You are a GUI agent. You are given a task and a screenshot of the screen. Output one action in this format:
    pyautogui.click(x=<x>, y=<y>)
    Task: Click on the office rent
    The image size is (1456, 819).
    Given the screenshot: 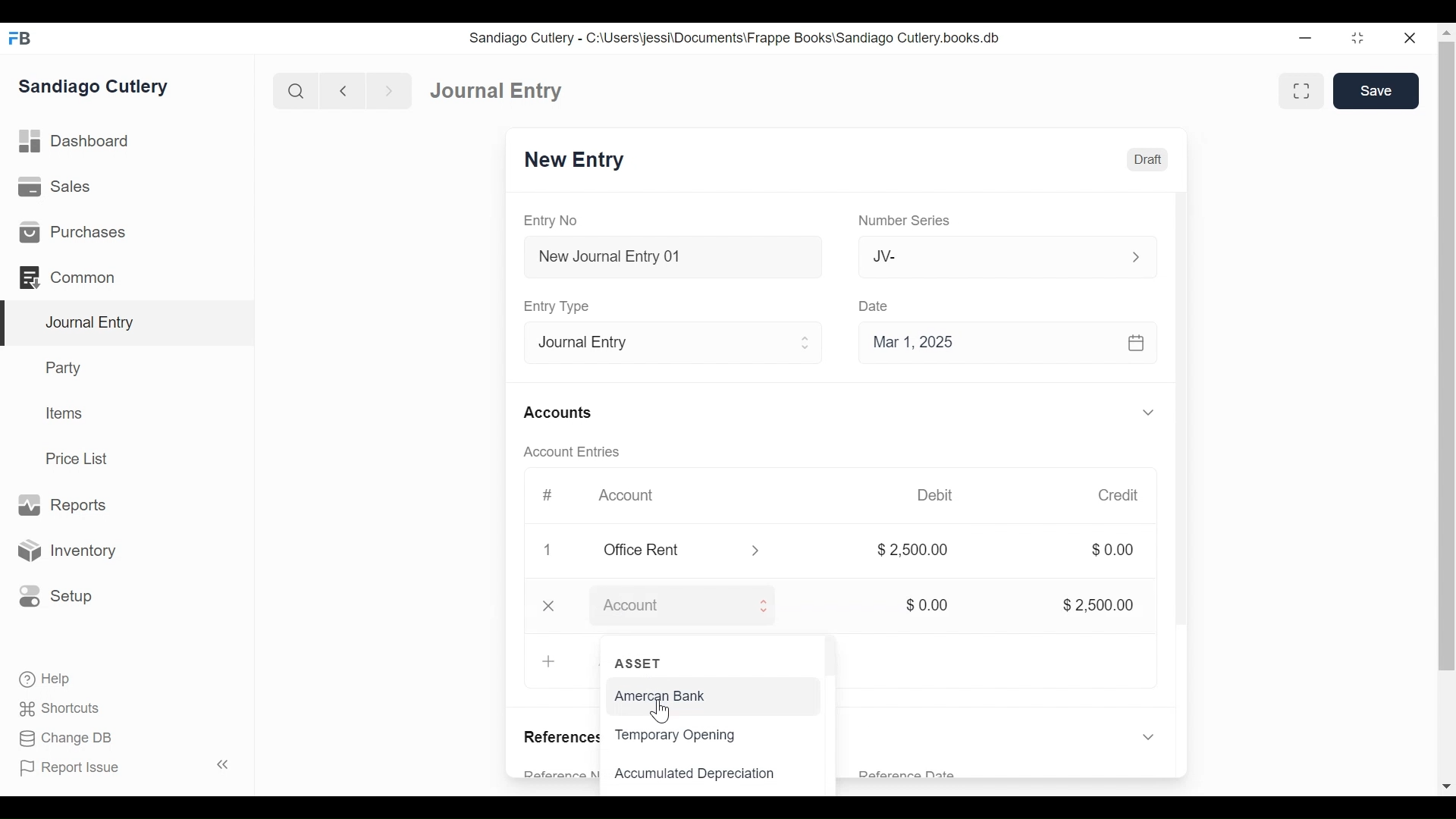 What is the action you would take?
    pyautogui.click(x=689, y=551)
    